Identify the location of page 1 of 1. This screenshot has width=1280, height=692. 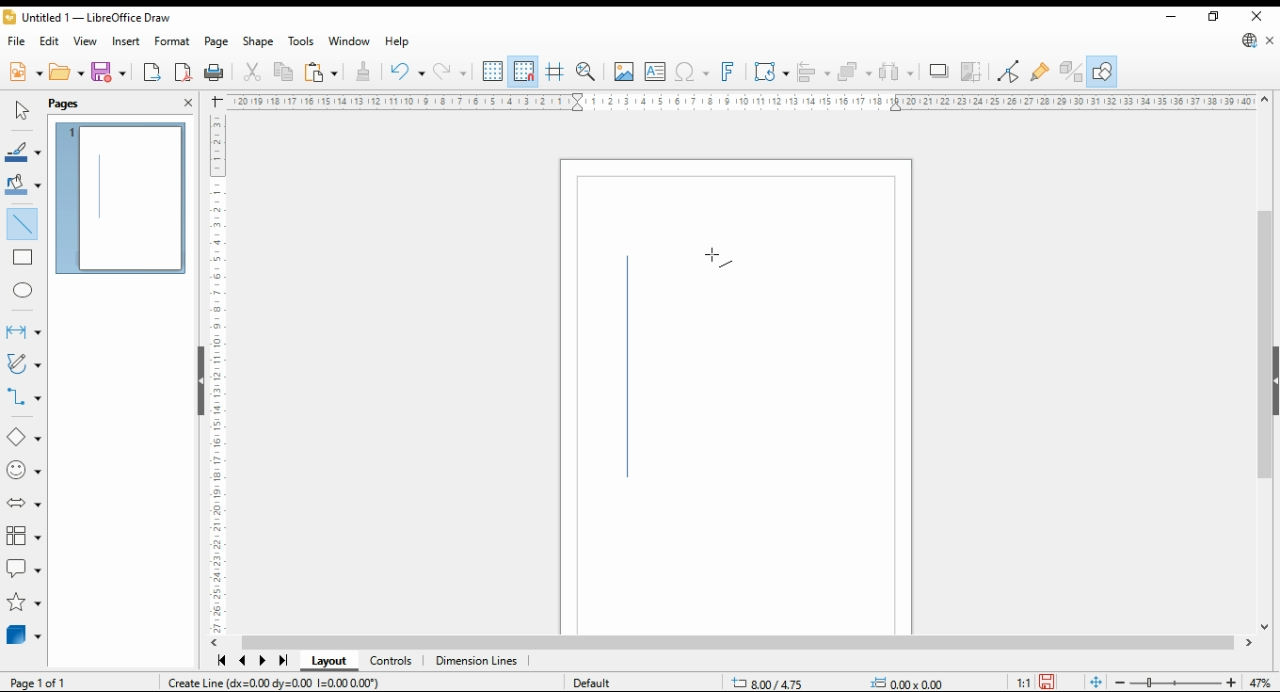
(43, 682).